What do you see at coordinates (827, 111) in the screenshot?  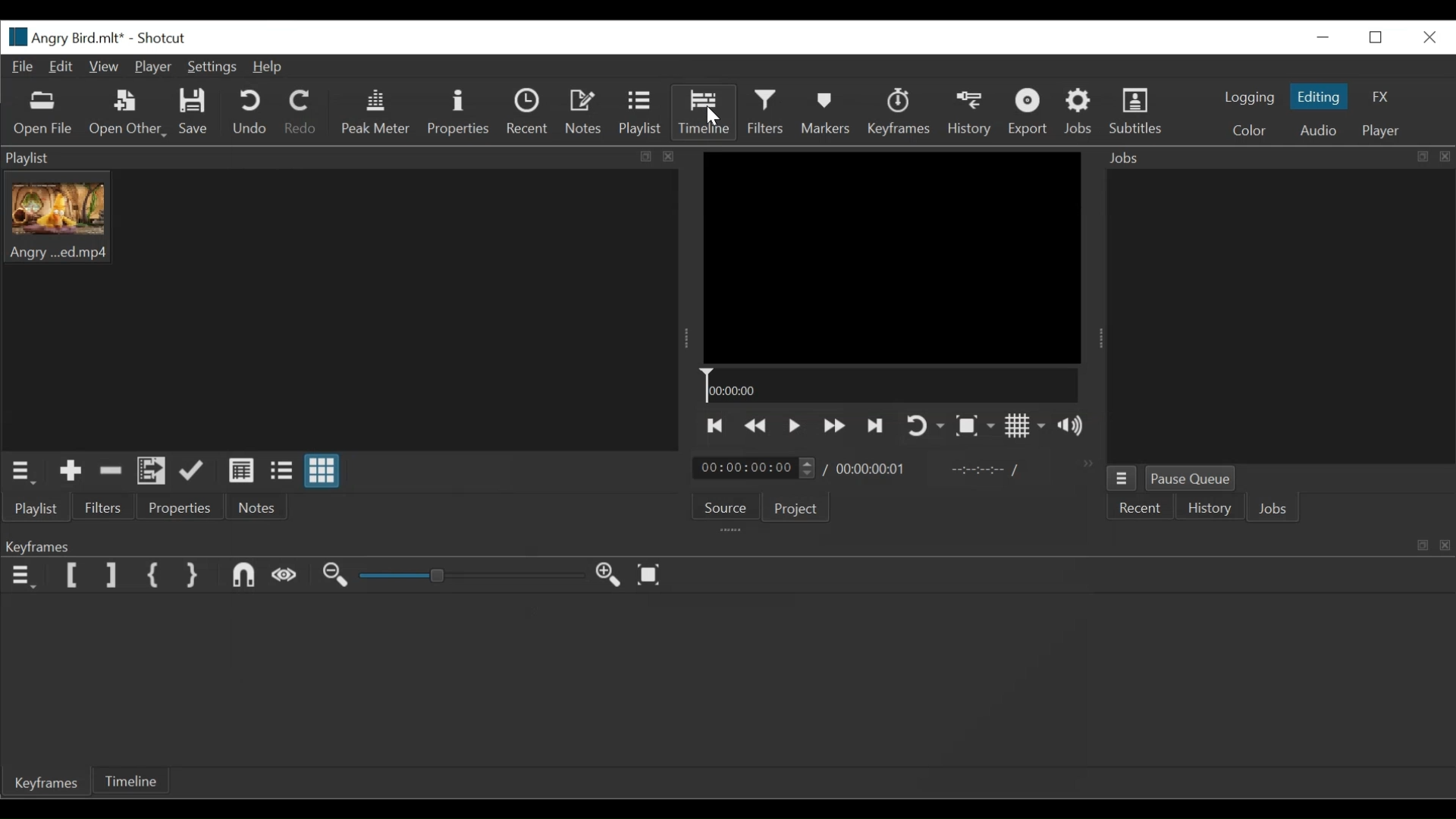 I see `Markers` at bounding box center [827, 111].